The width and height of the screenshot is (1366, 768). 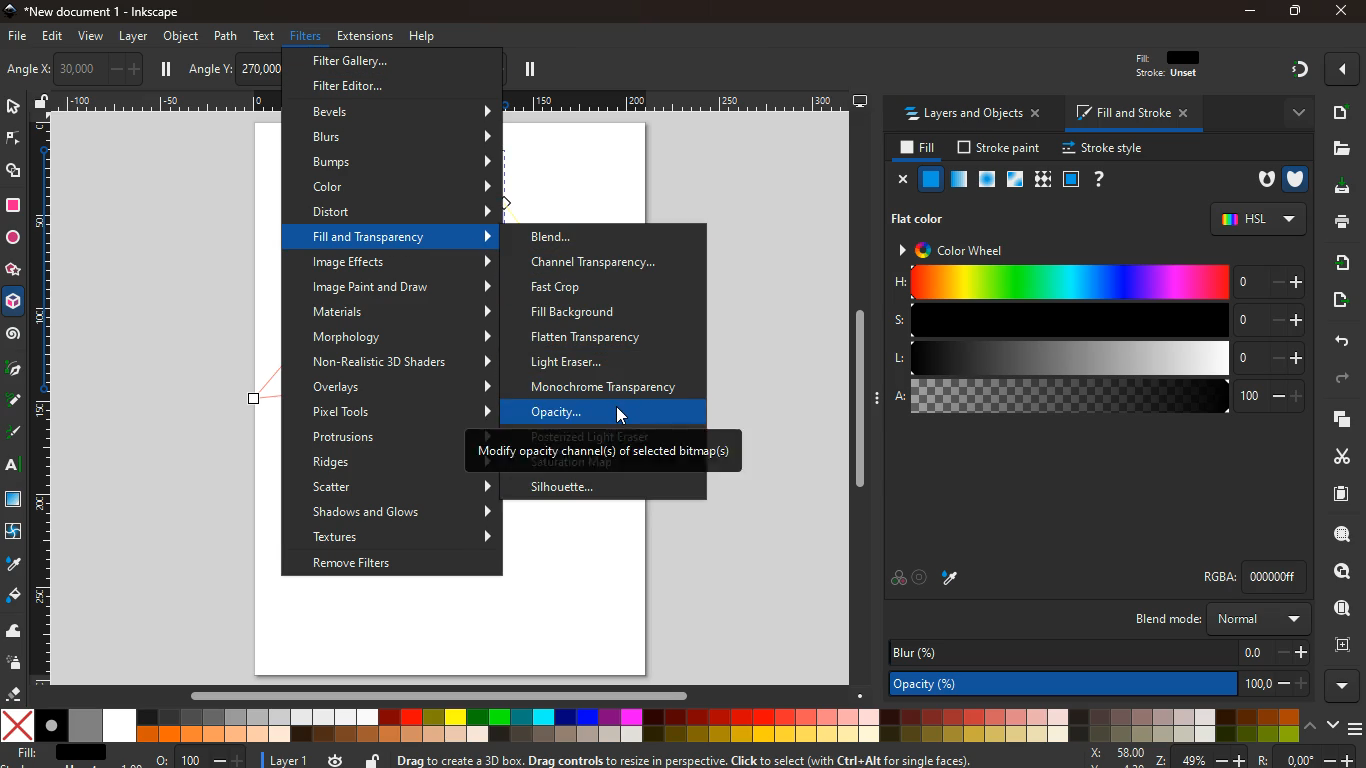 I want to click on Scrollbar, so click(x=859, y=395).